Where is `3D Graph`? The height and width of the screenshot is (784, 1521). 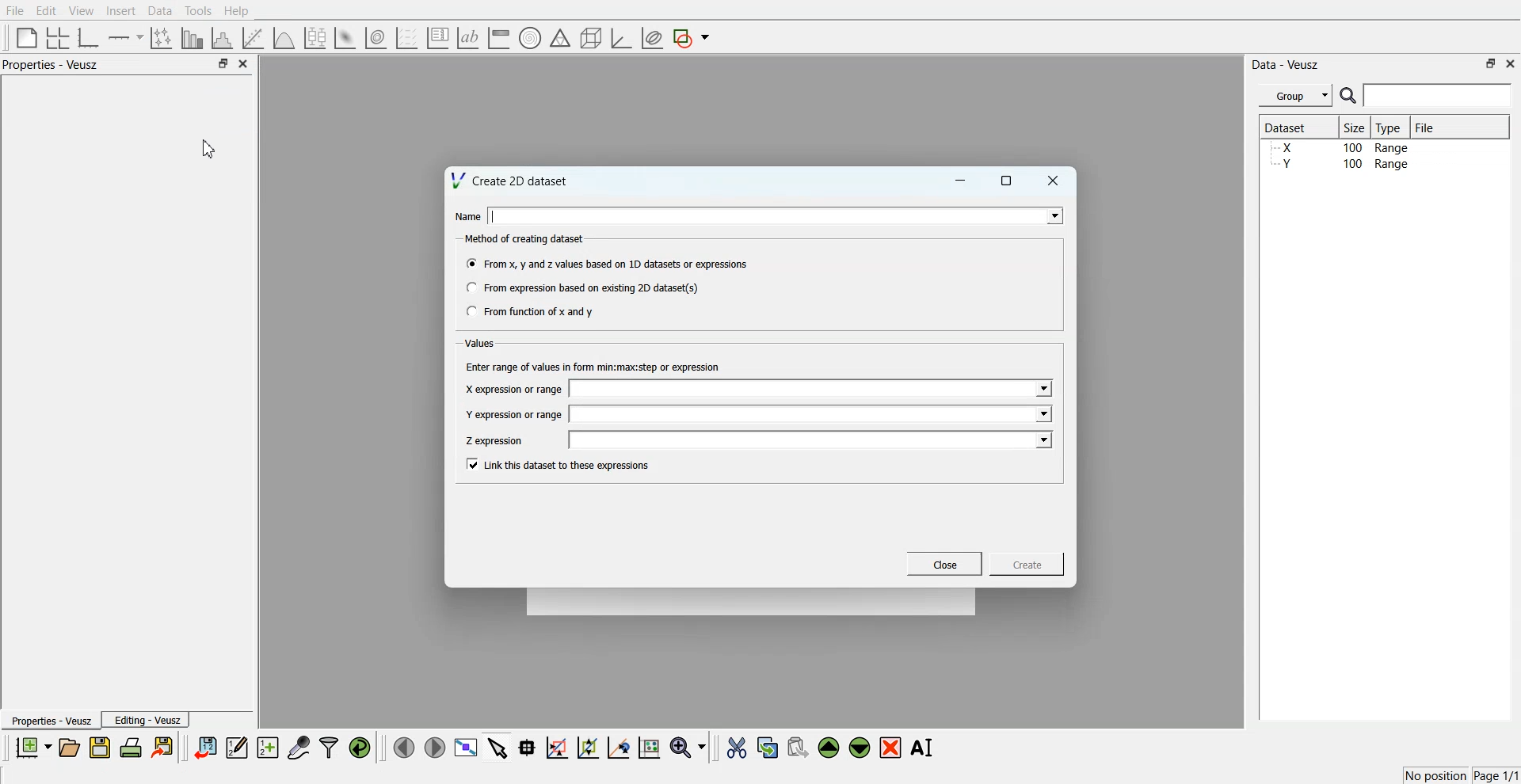
3D Graph is located at coordinates (621, 38).